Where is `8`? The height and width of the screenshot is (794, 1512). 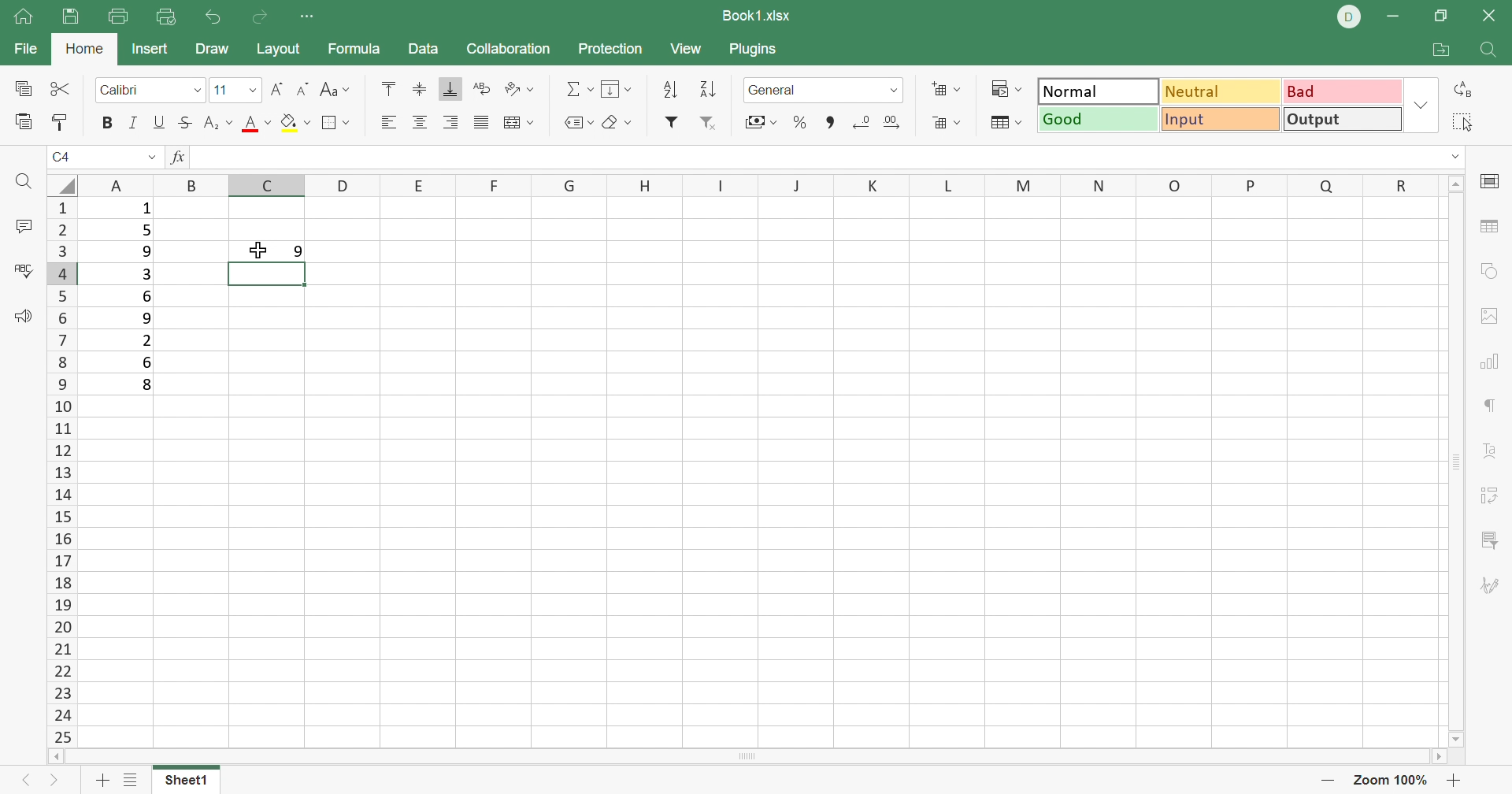 8 is located at coordinates (148, 386).